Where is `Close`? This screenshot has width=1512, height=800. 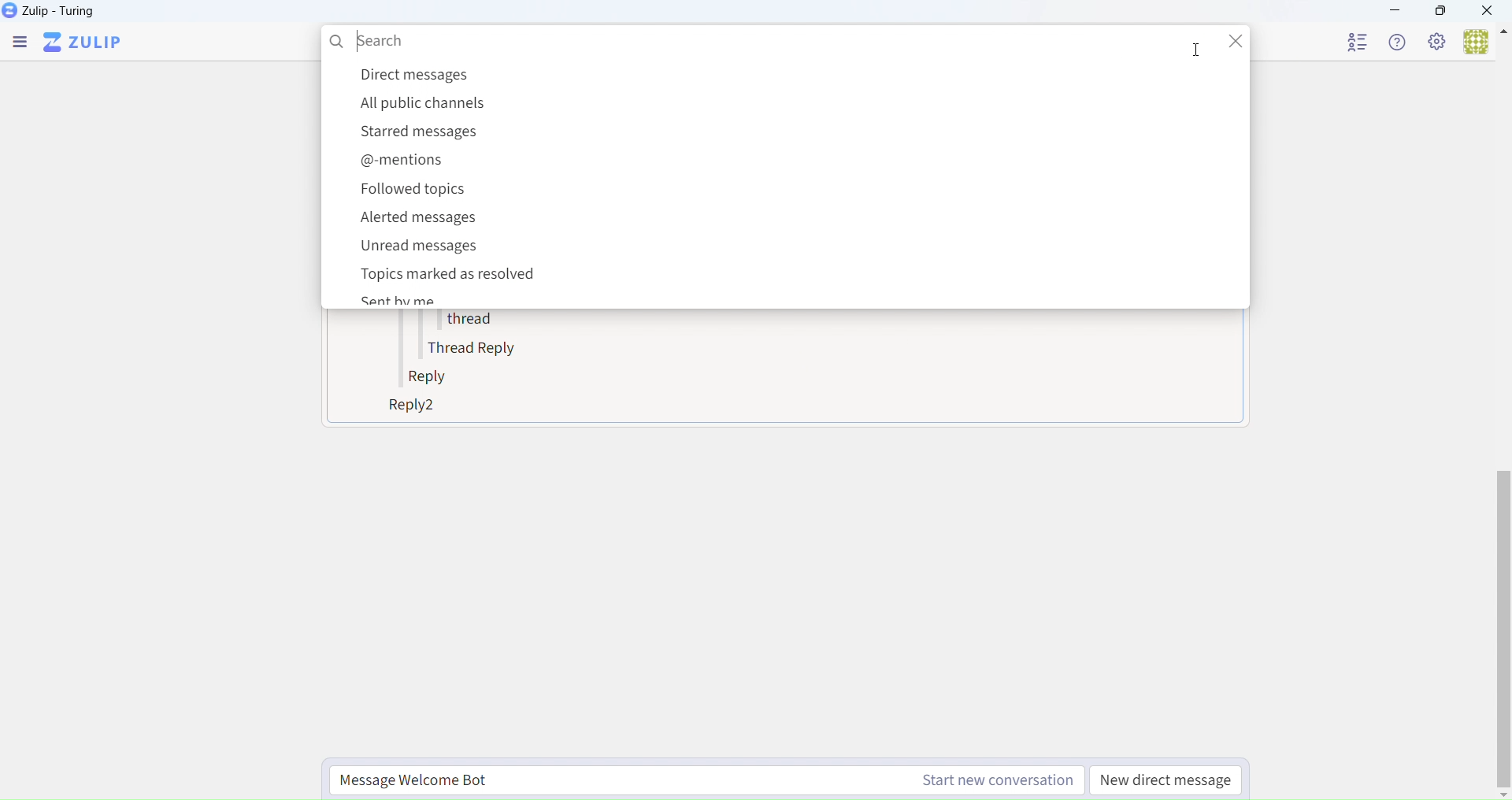
Close is located at coordinates (1492, 10).